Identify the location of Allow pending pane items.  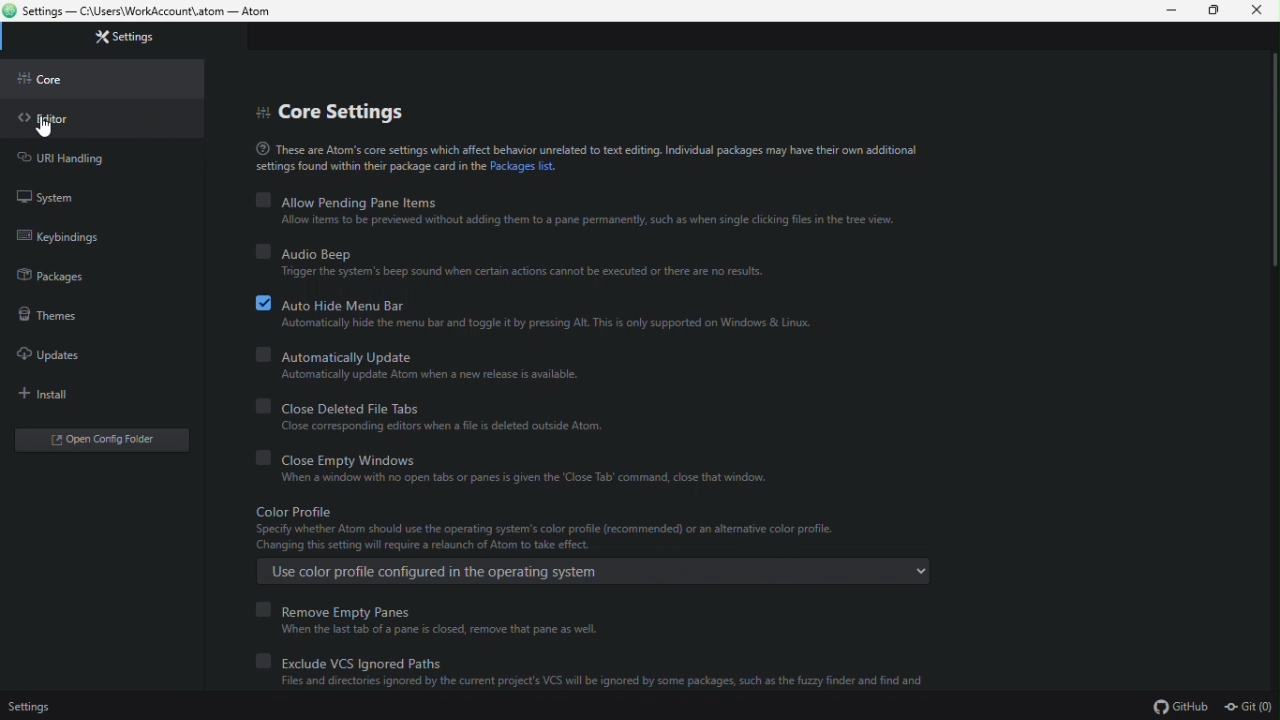
(587, 200).